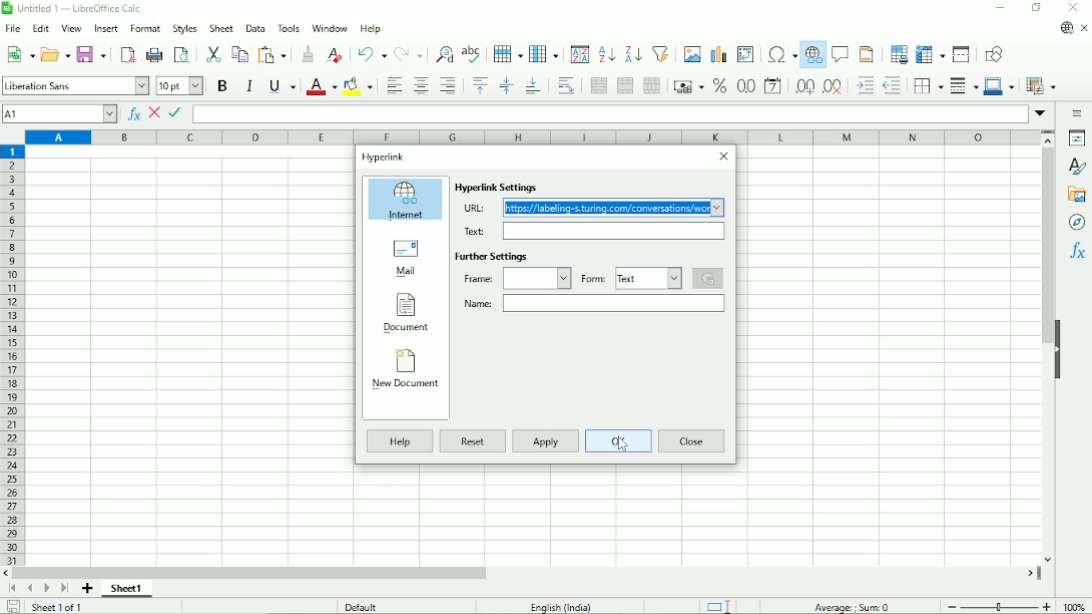  What do you see at coordinates (11, 607) in the screenshot?
I see `Save` at bounding box center [11, 607].